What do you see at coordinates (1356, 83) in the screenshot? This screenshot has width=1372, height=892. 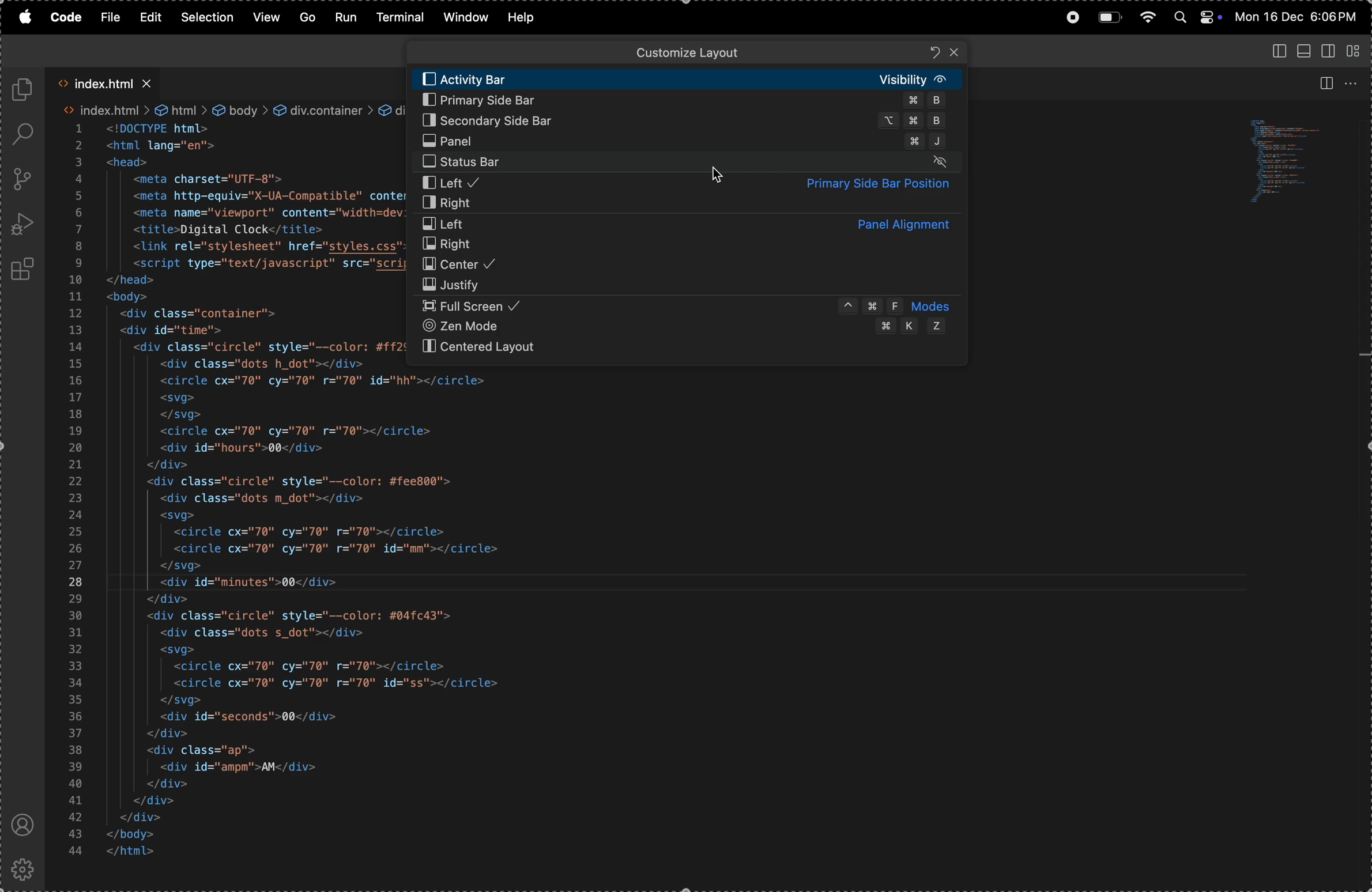 I see `option` at bounding box center [1356, 83].